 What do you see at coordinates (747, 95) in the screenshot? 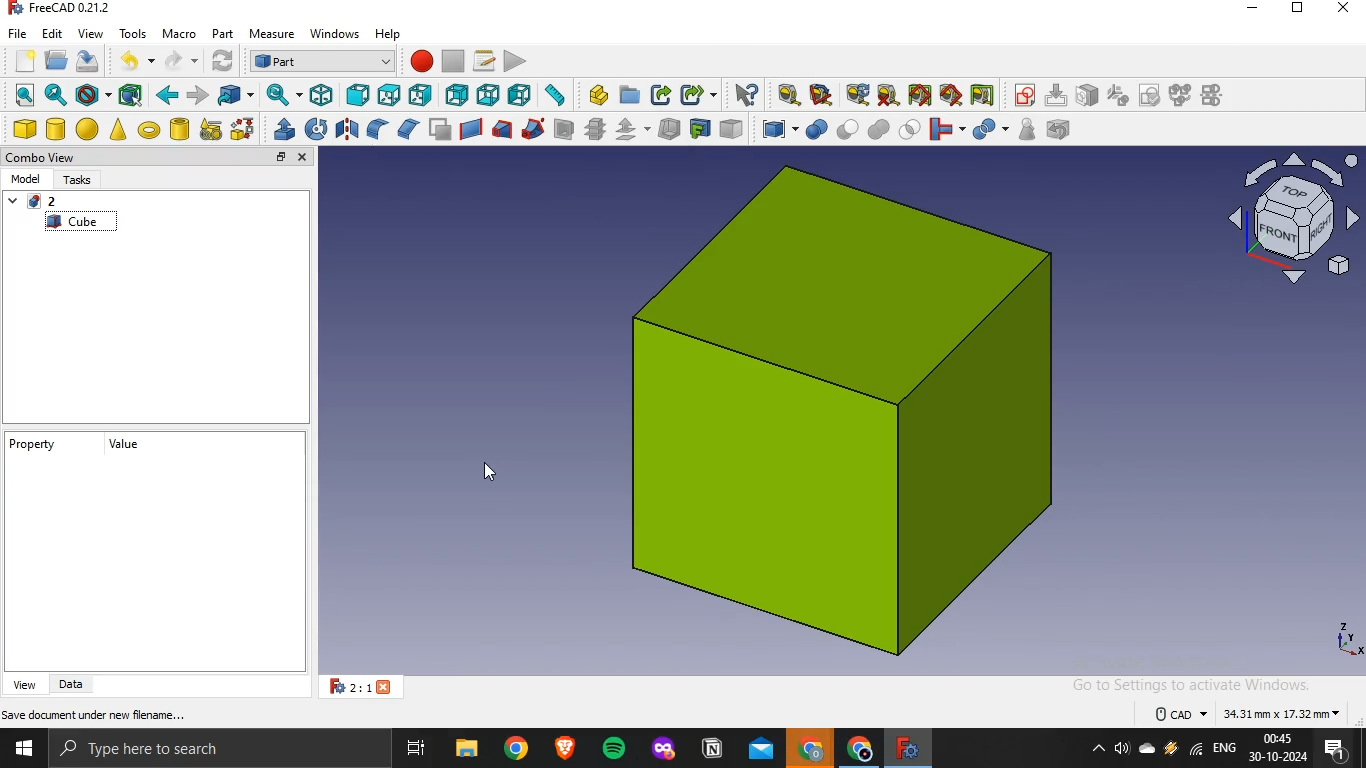
I see `what's this` at bounding box center [747, 95].